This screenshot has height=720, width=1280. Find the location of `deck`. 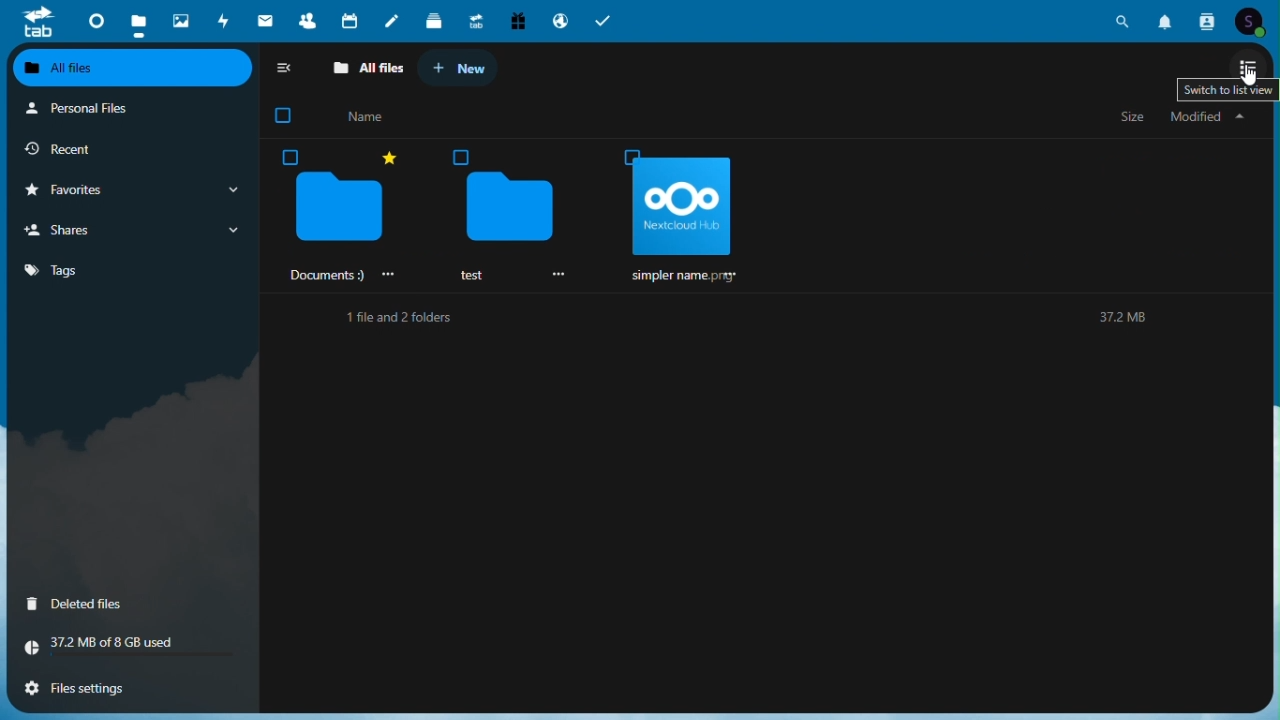

deck is located at coordinates (433, 19).